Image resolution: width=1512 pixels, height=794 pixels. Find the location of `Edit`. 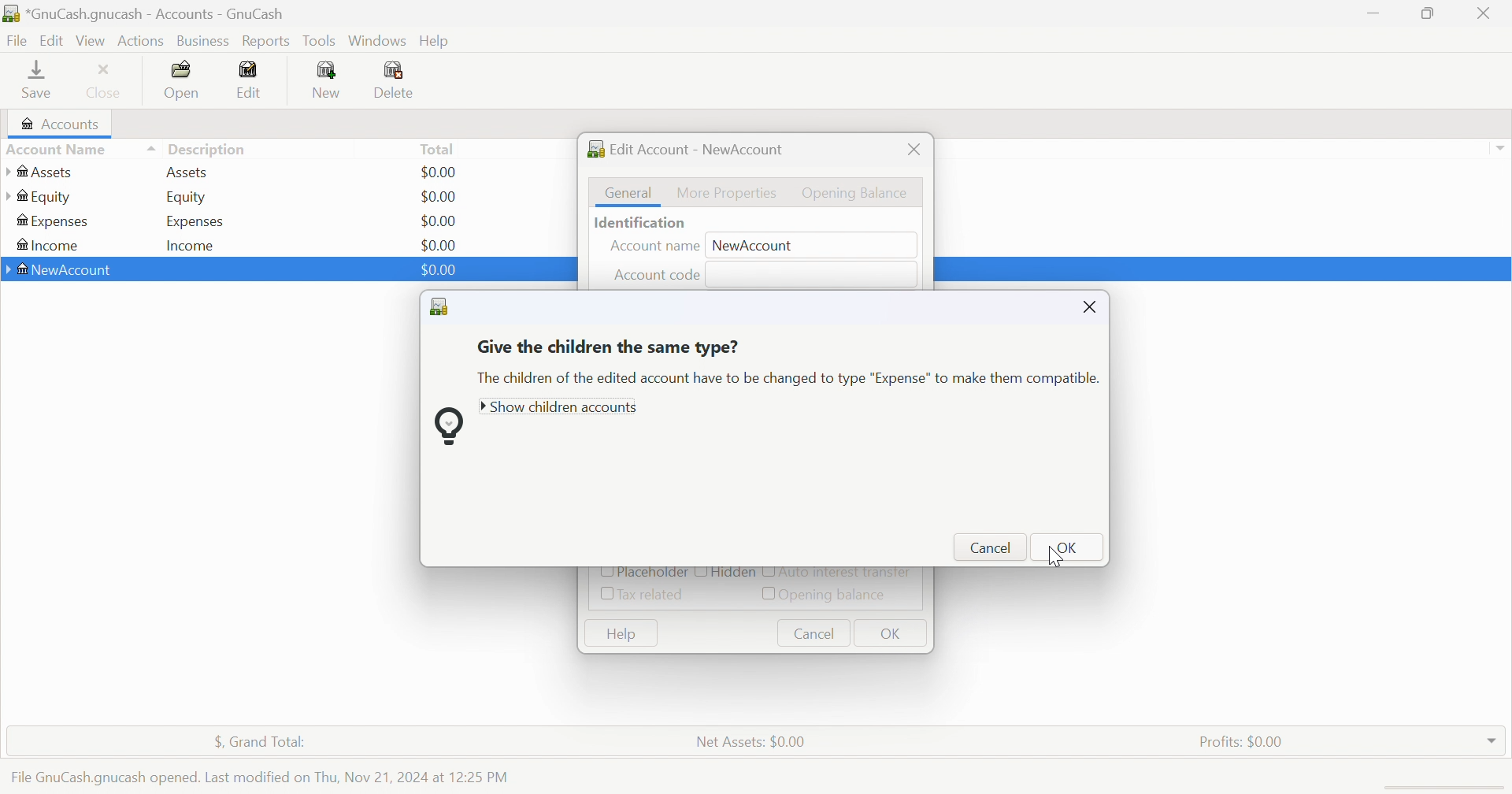

Edit is located at coordinates (249, 80).